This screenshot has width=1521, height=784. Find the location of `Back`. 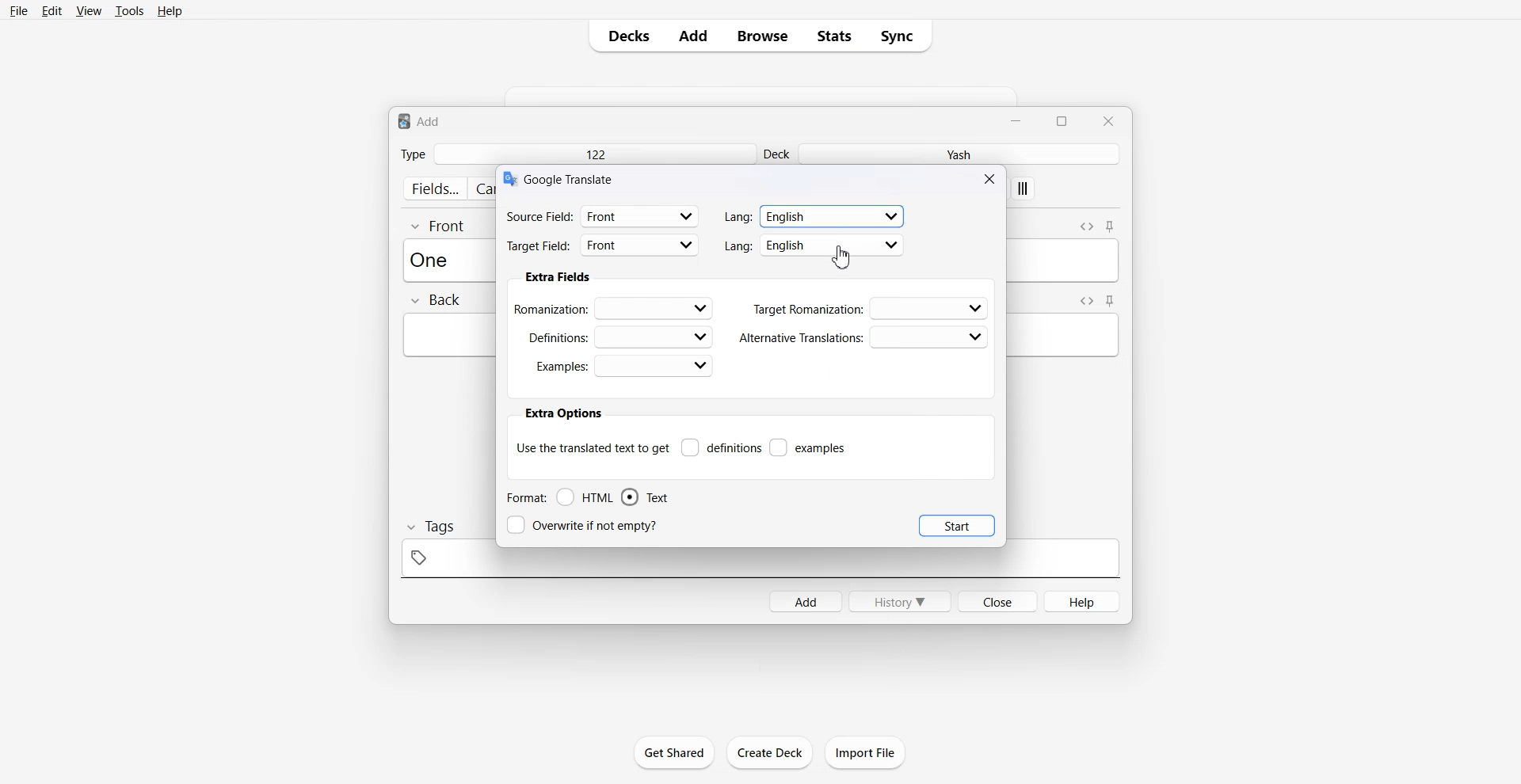

Back is located at coordinates (435, 301).